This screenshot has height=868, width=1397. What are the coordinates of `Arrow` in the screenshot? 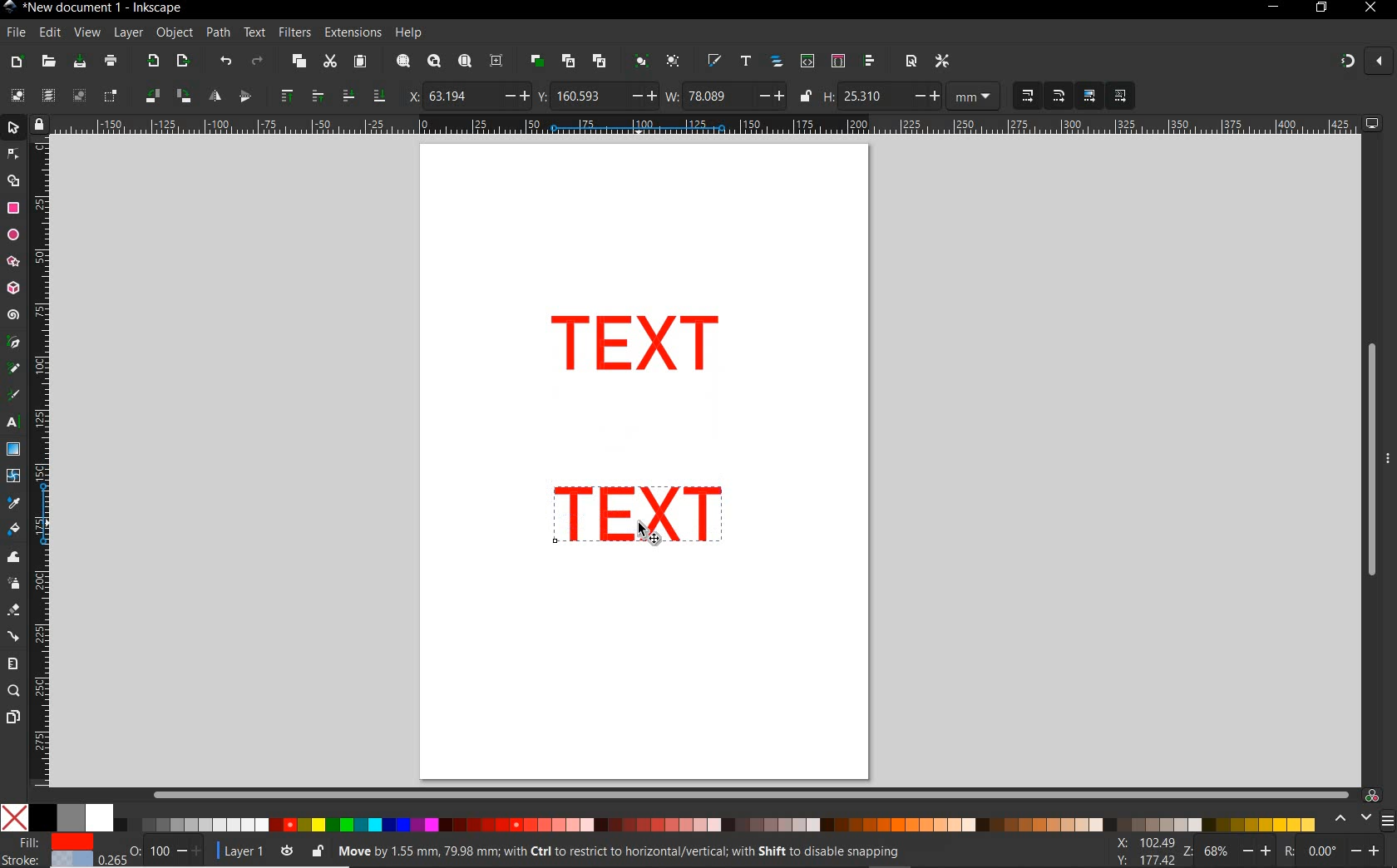 It's located at (15, 167).